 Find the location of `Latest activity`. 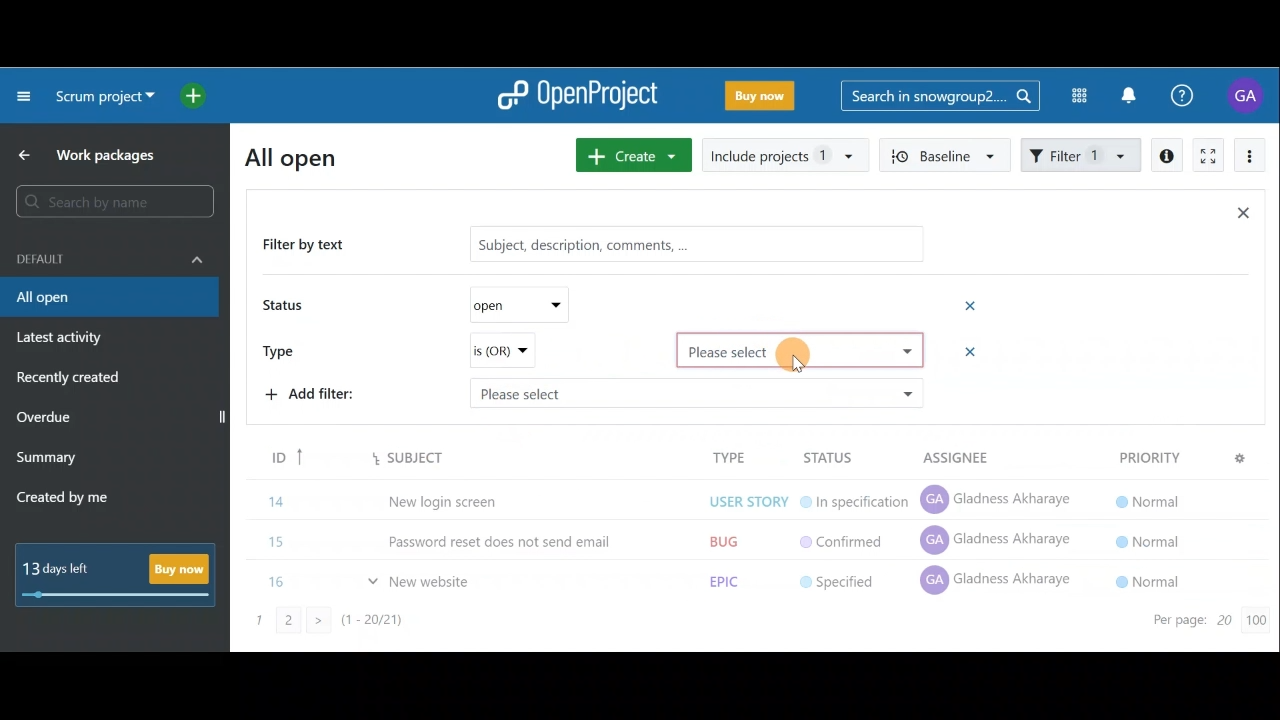

Latest activity is located at coordinates (62, 340).